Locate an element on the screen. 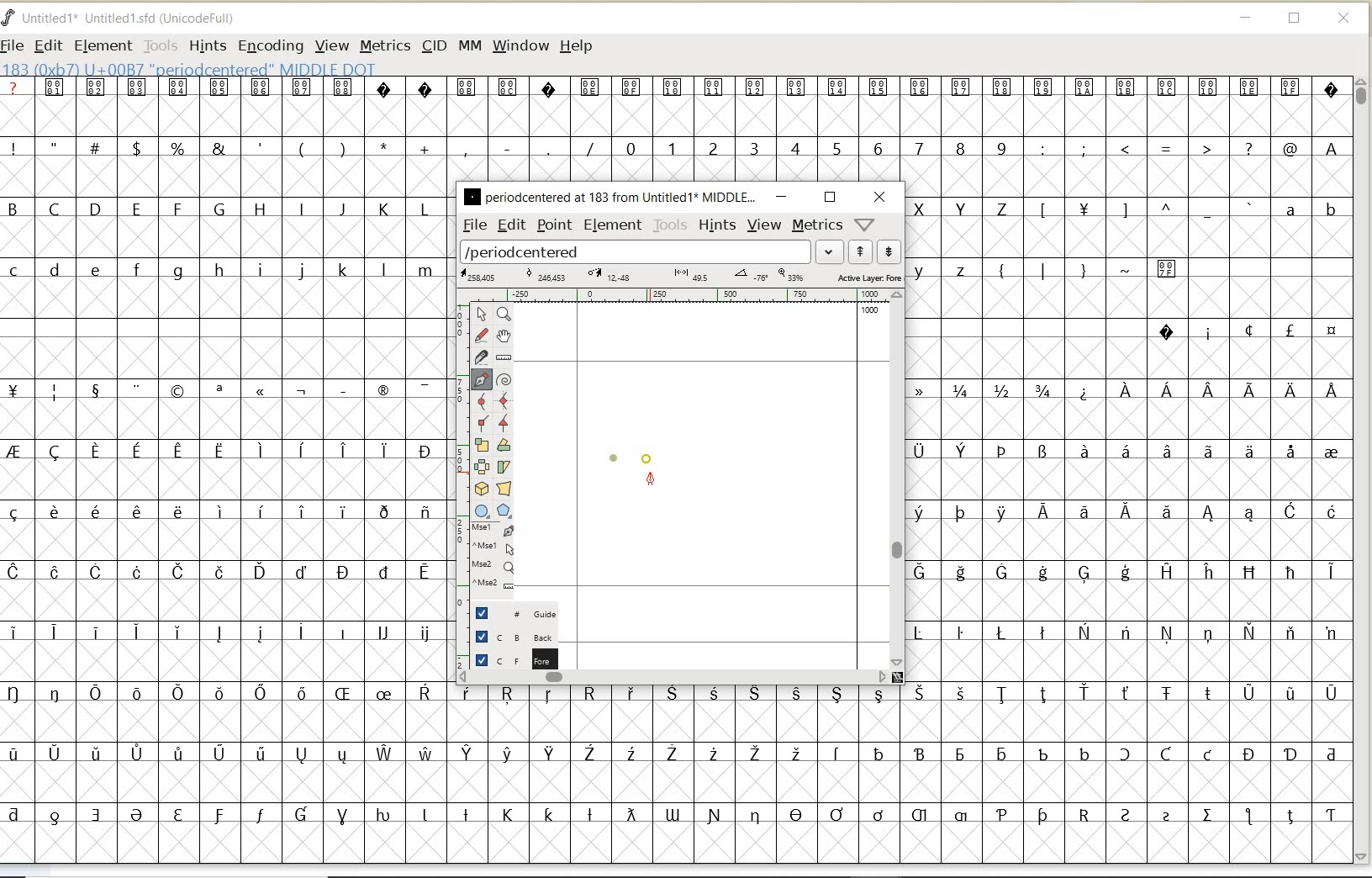 This screenshot has width=1372, height=878. restore is located at coordinates (830, 196).